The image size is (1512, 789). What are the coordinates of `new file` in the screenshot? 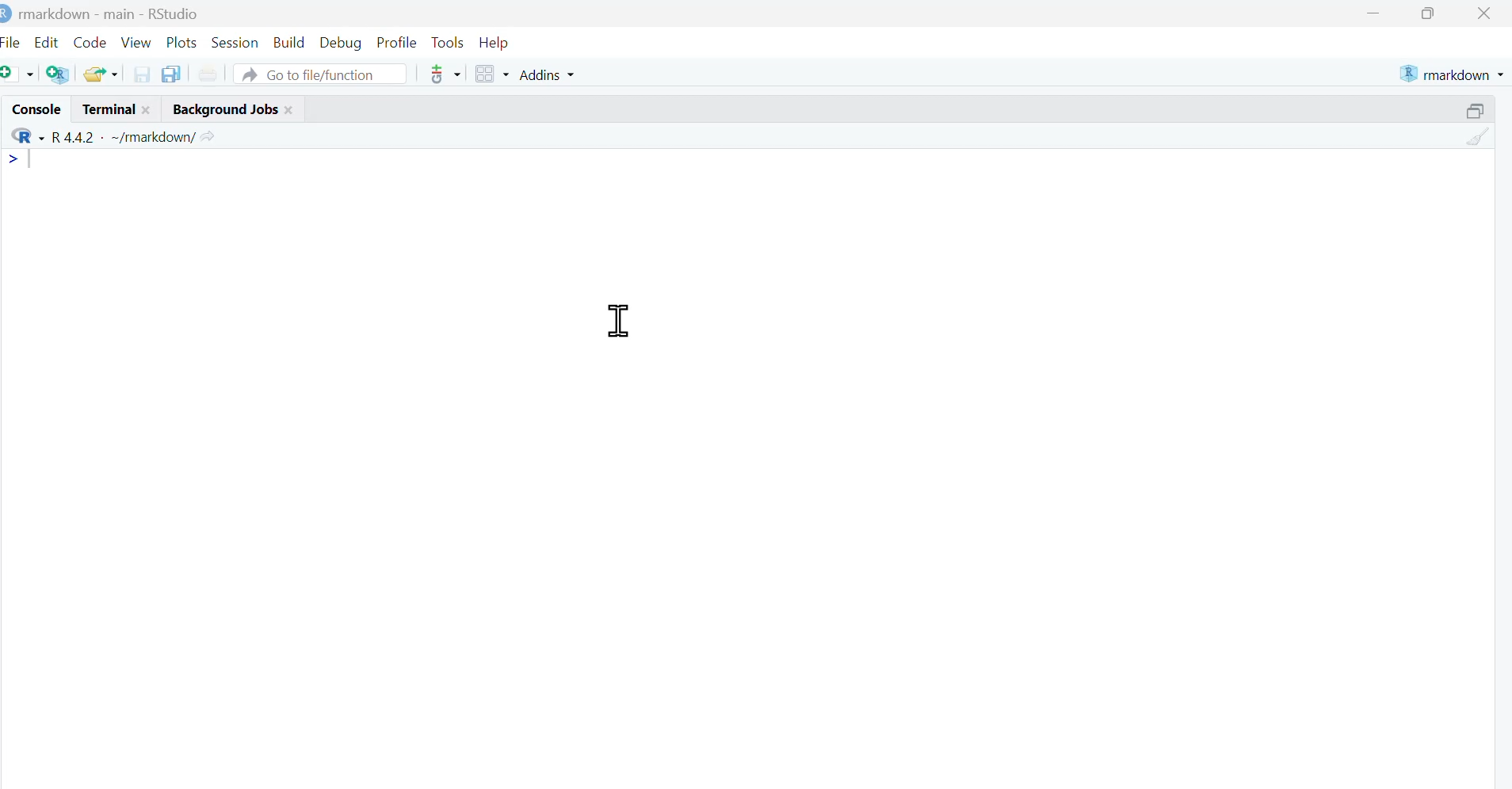 It's located at (19, 73).